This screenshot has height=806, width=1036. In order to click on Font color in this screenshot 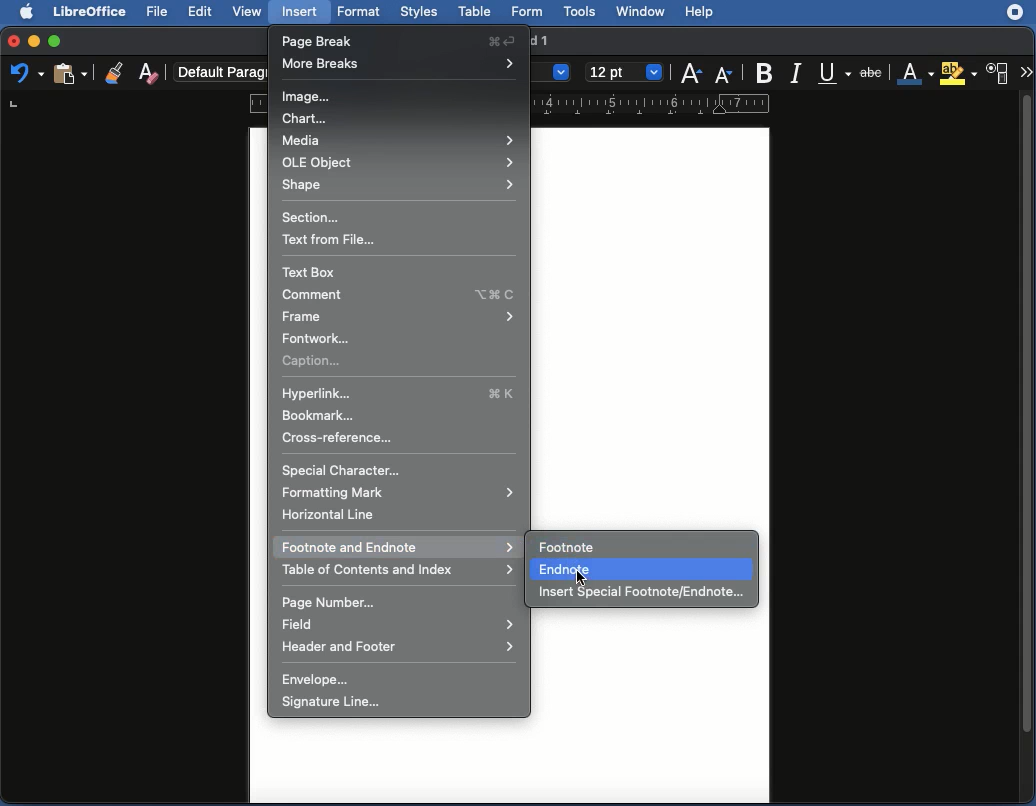, I will do `click(914, 74)`.